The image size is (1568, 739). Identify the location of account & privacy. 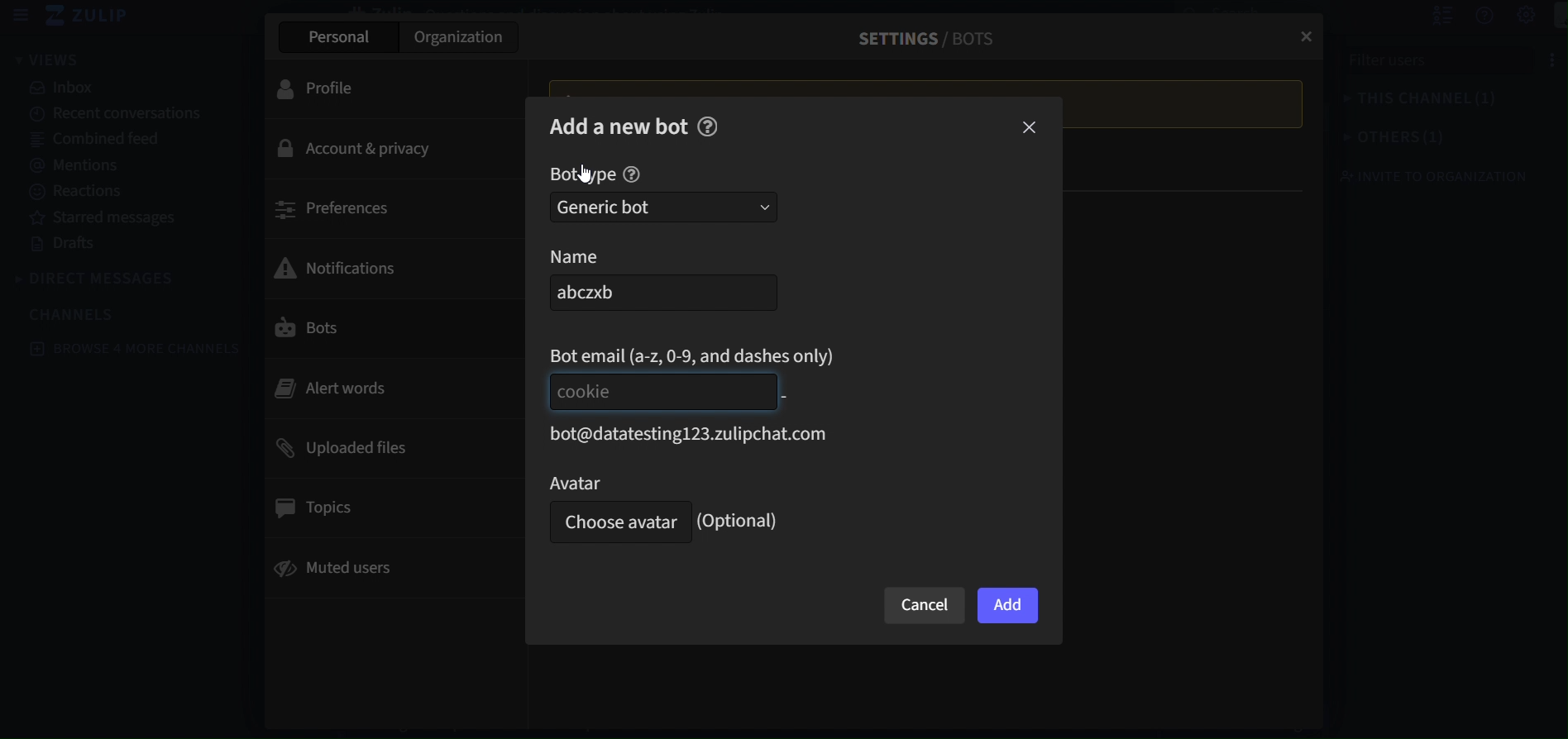
(381, 150).